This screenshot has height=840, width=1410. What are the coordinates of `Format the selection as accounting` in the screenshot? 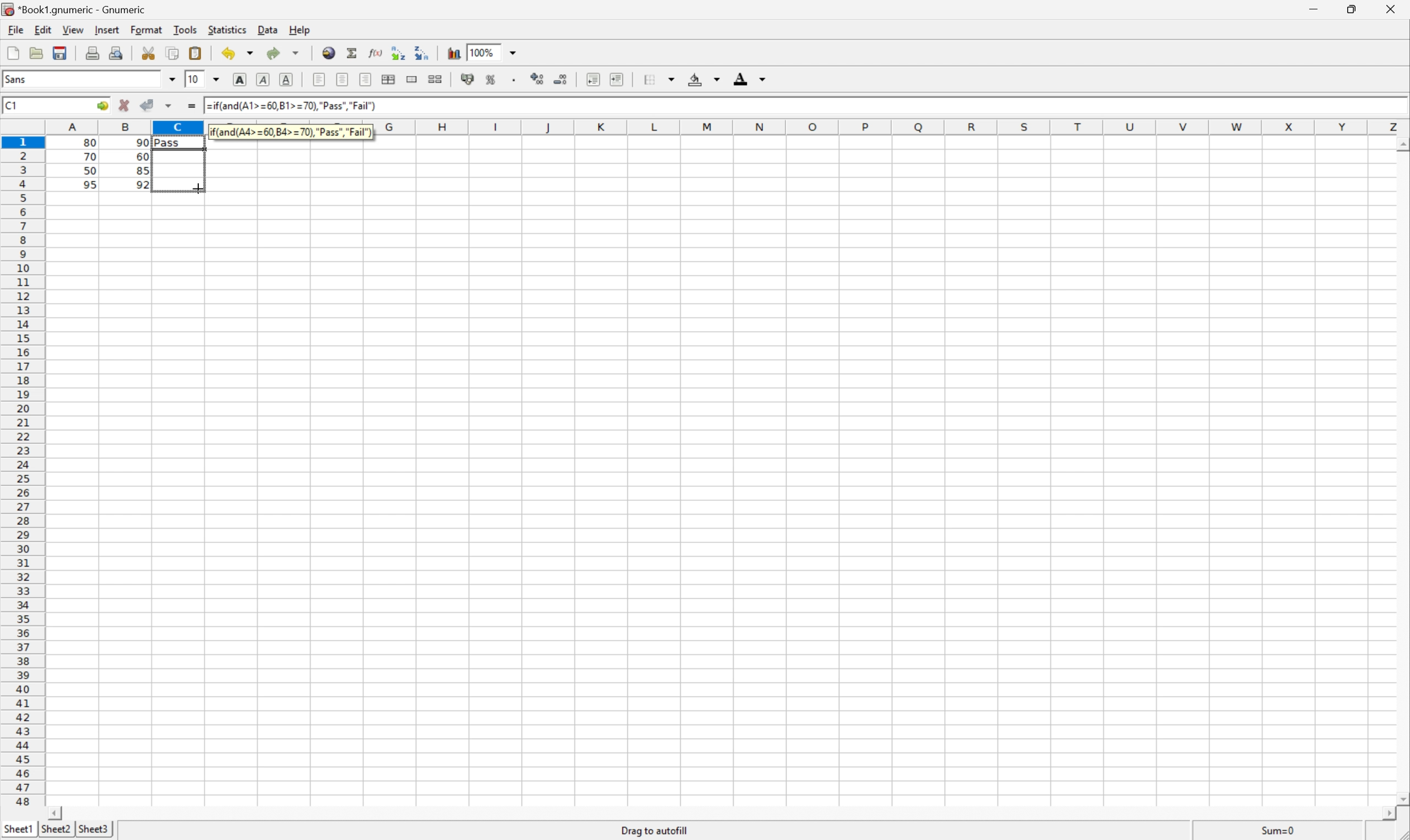 It's located at (467, 79).